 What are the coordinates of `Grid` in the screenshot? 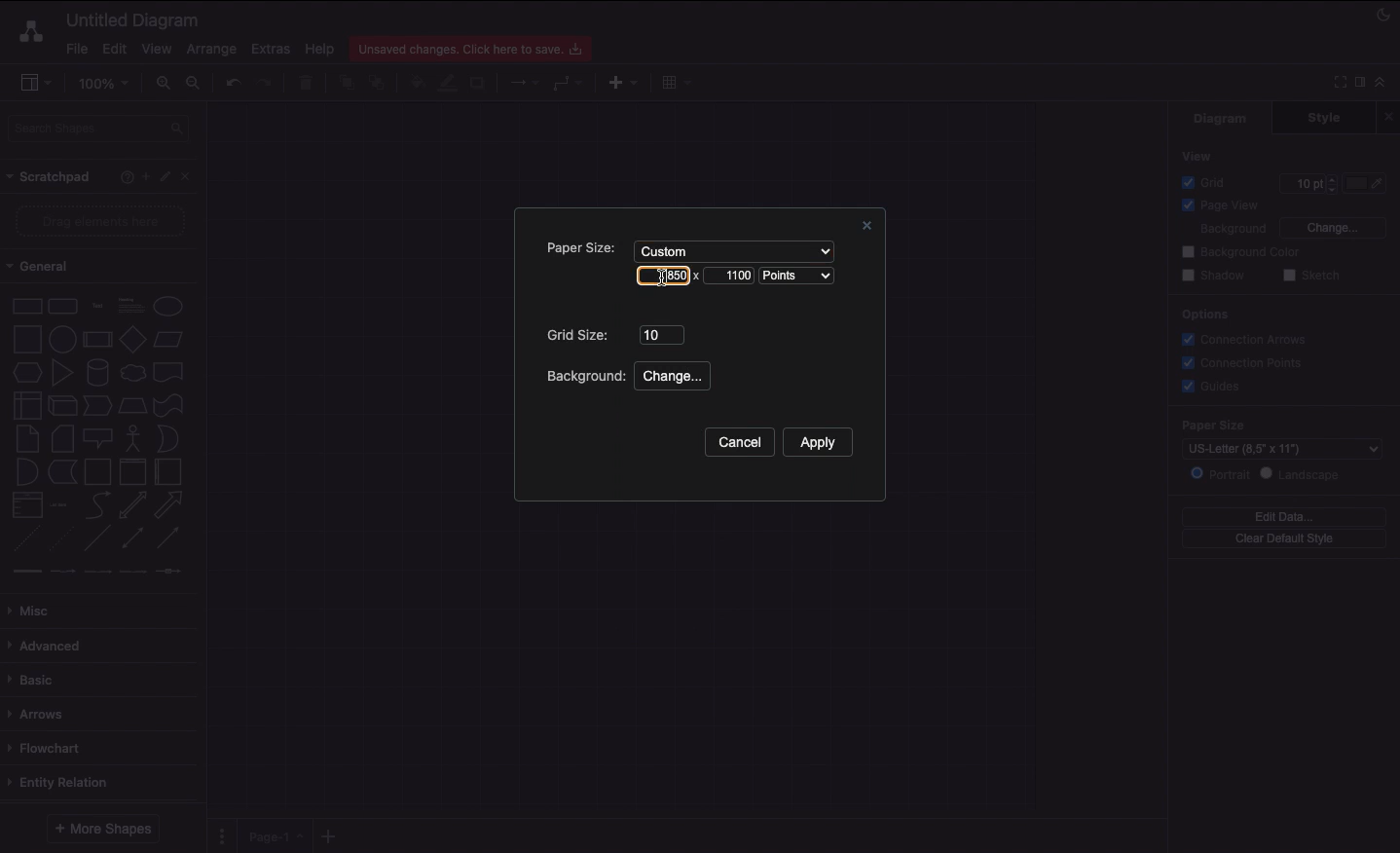 It's located at (1208, 182).